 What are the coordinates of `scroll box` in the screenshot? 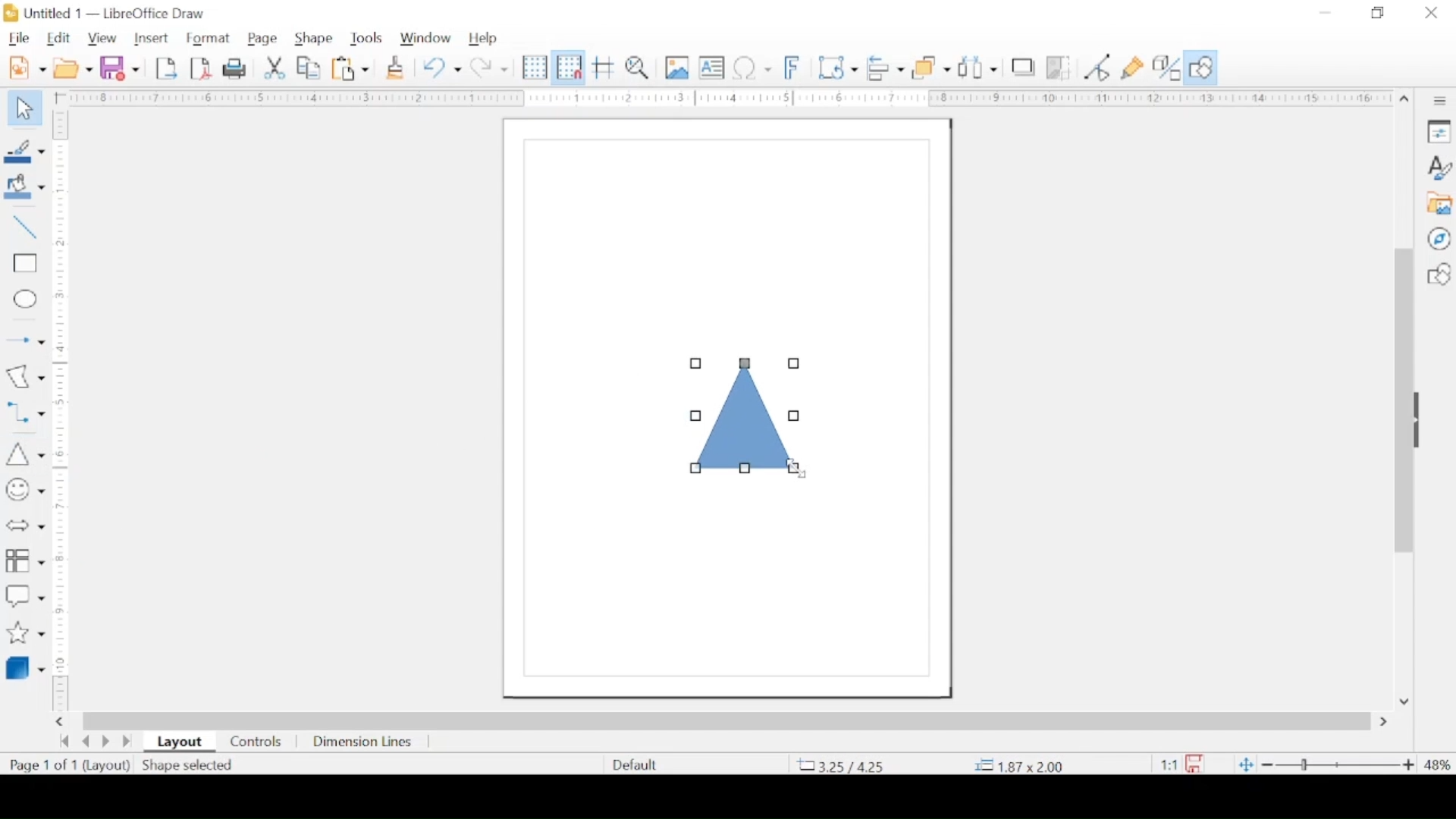 It's located at (1400, 403).